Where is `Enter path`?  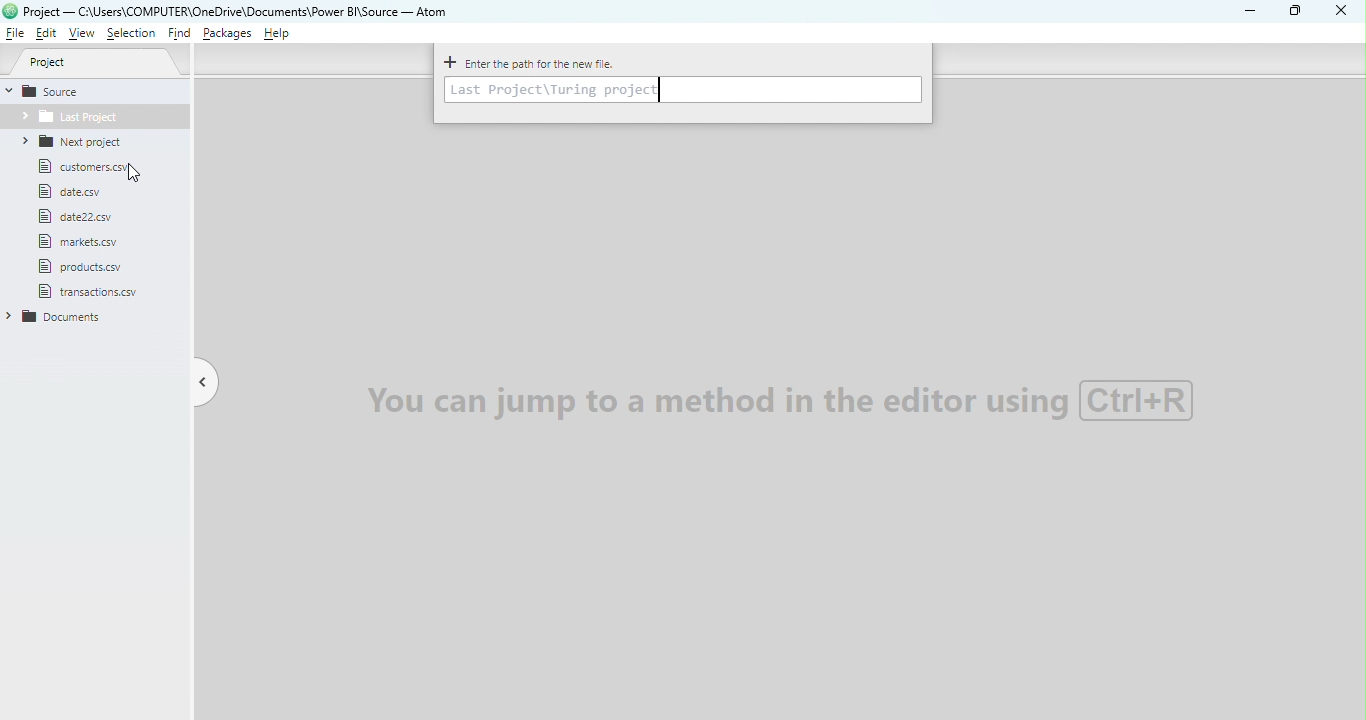 Enter path is located at coordinates (684, 91).